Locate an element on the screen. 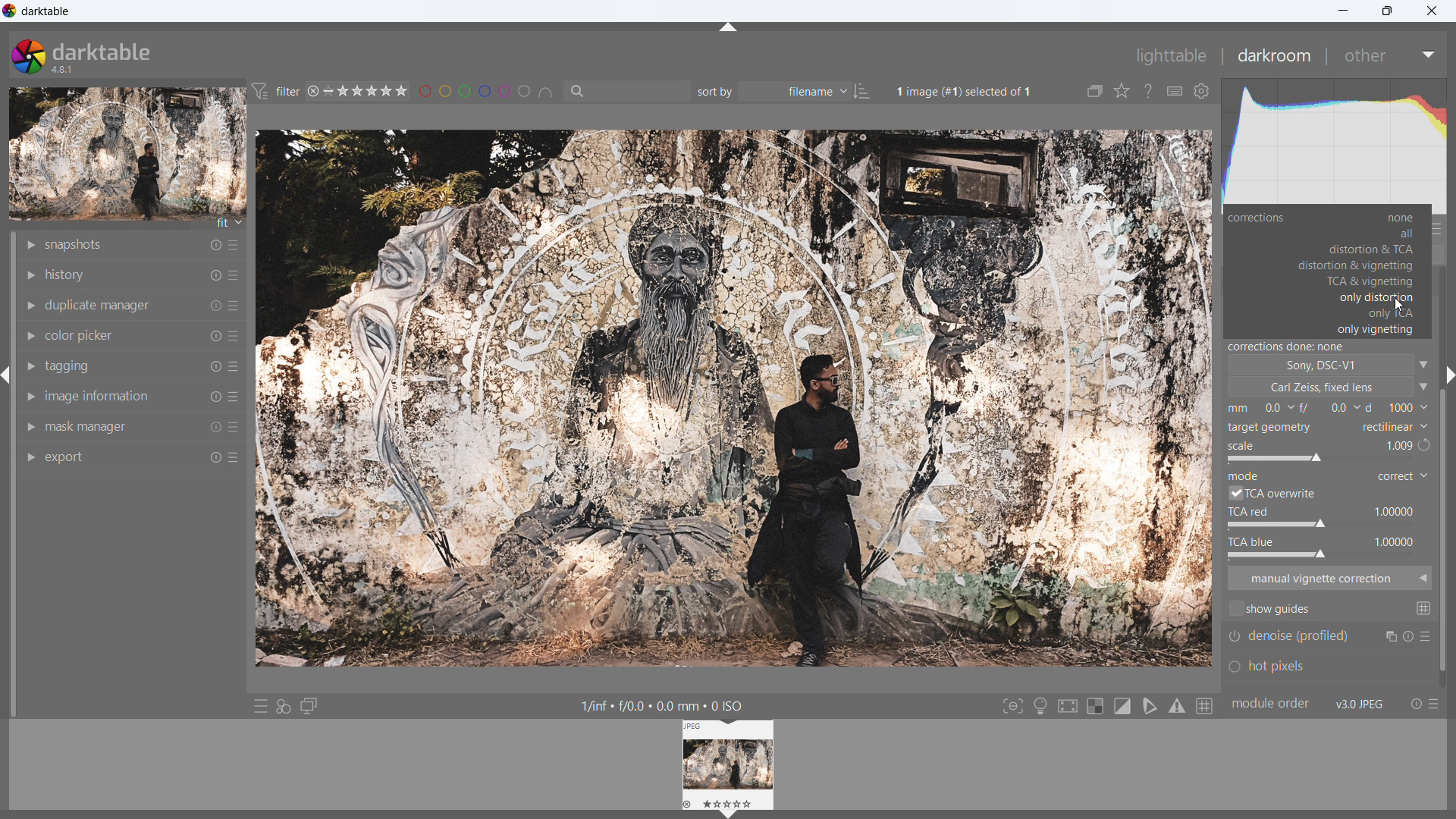  show module is located at coordinates (30, 365).